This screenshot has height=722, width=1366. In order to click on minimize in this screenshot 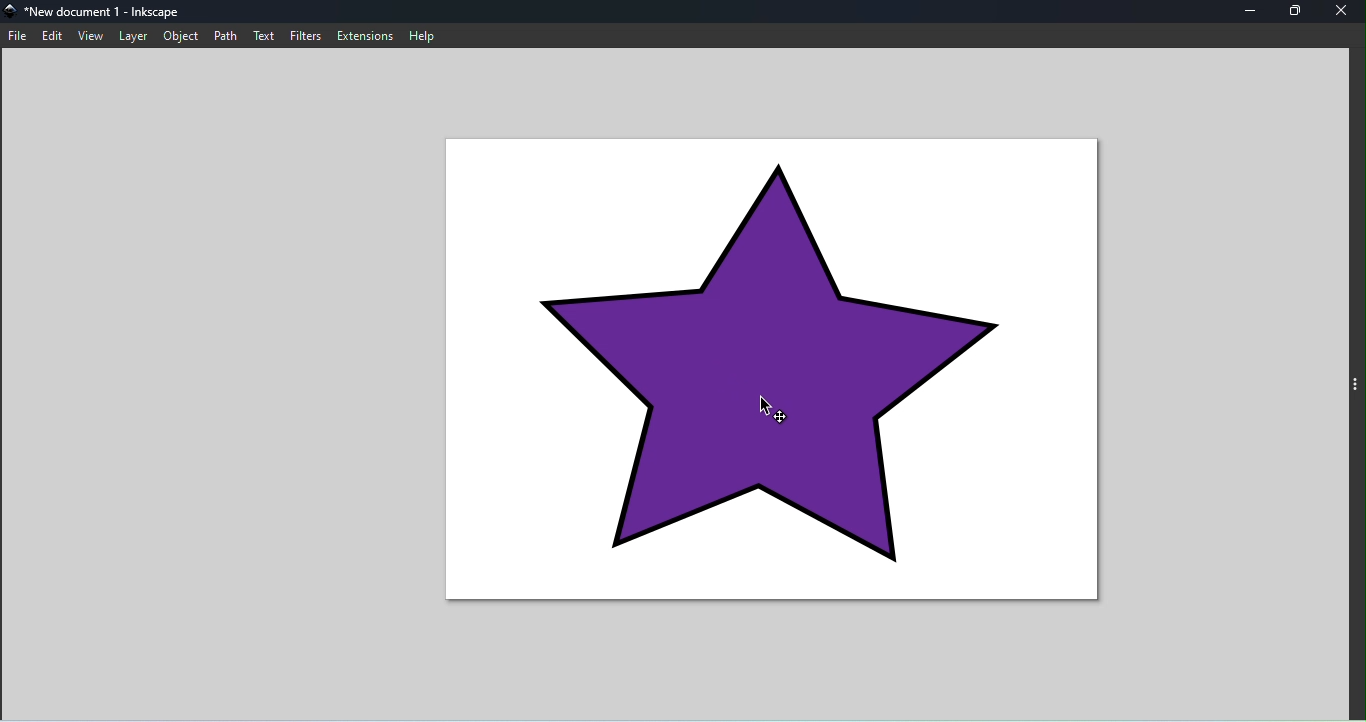, I will do `click(1250, 12)`.